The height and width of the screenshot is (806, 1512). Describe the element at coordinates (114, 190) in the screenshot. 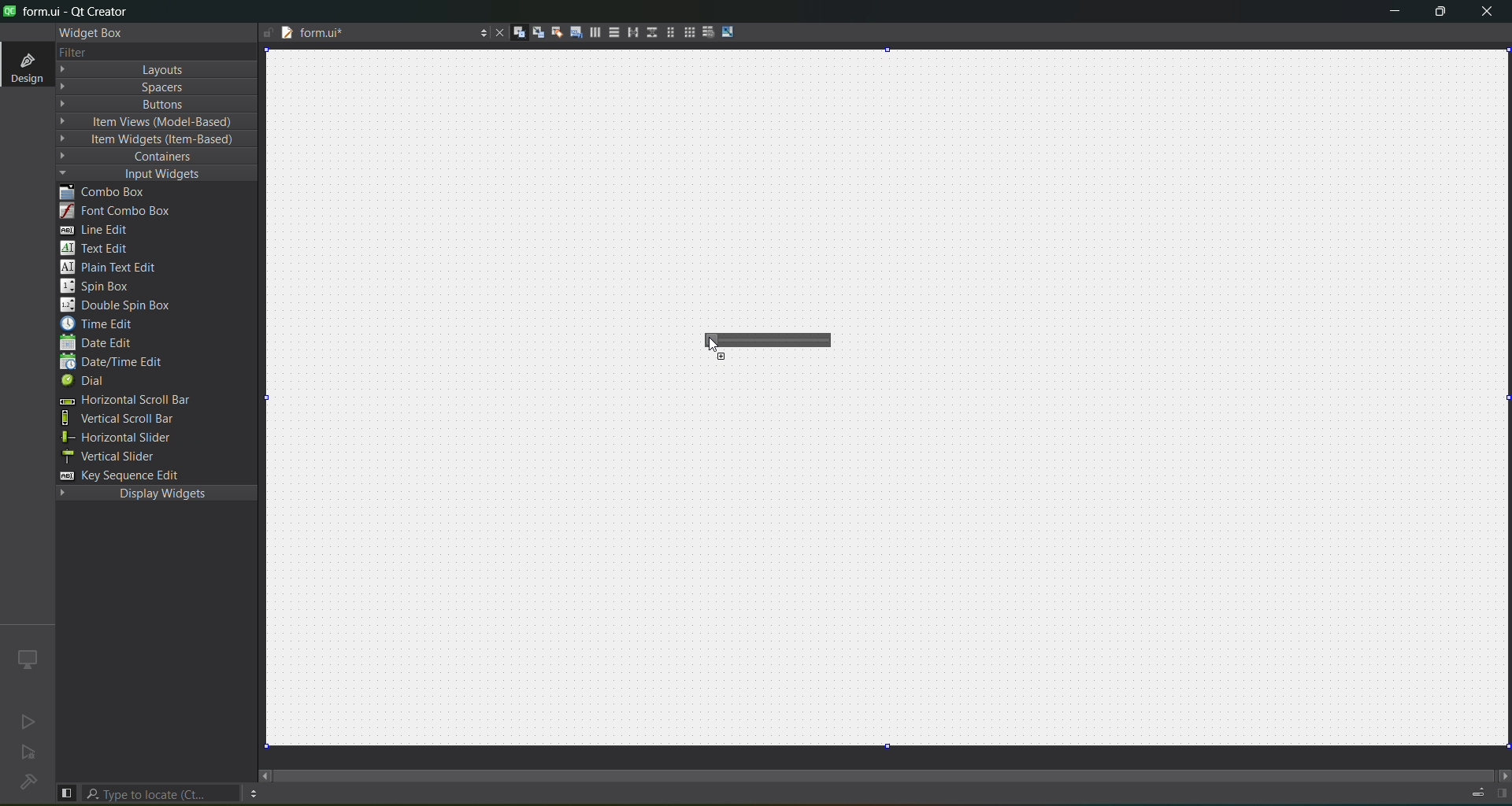

I see `combo box` at that location.